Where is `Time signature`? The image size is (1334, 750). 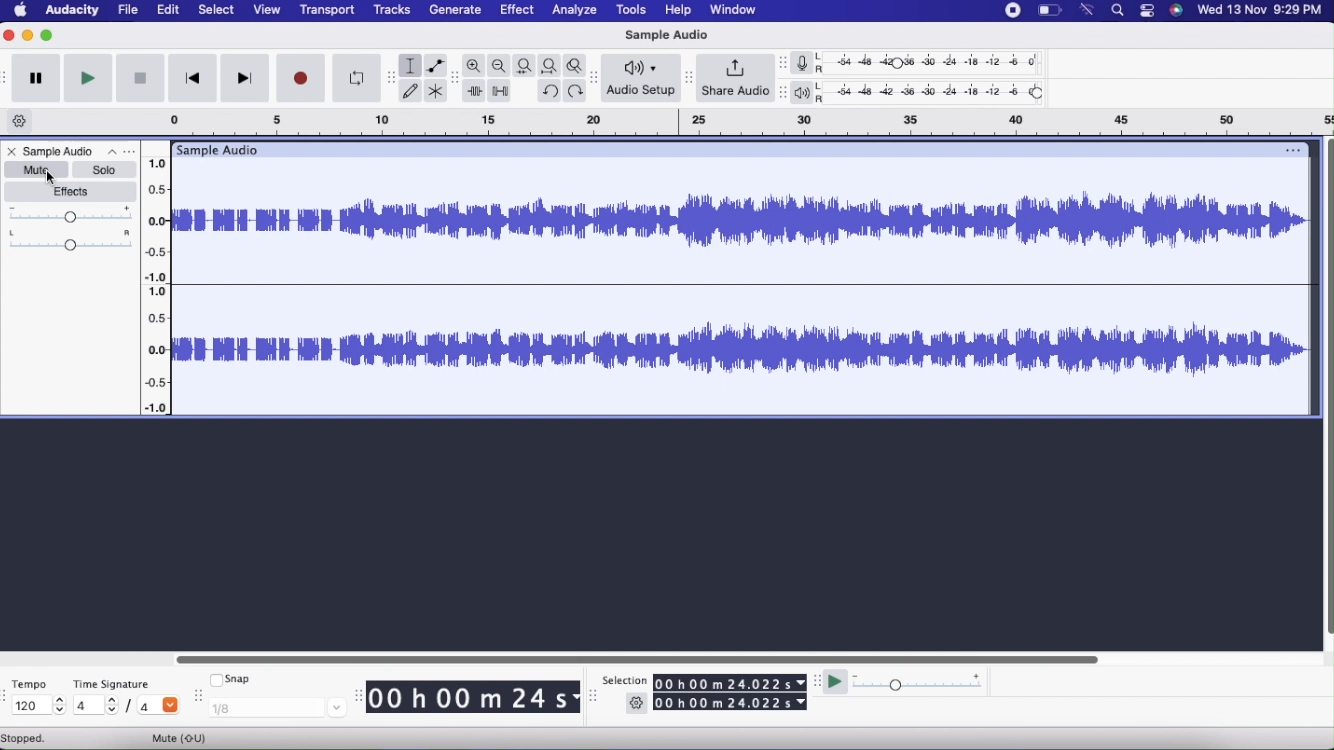
Time signature is located at coordinates (112, 684).